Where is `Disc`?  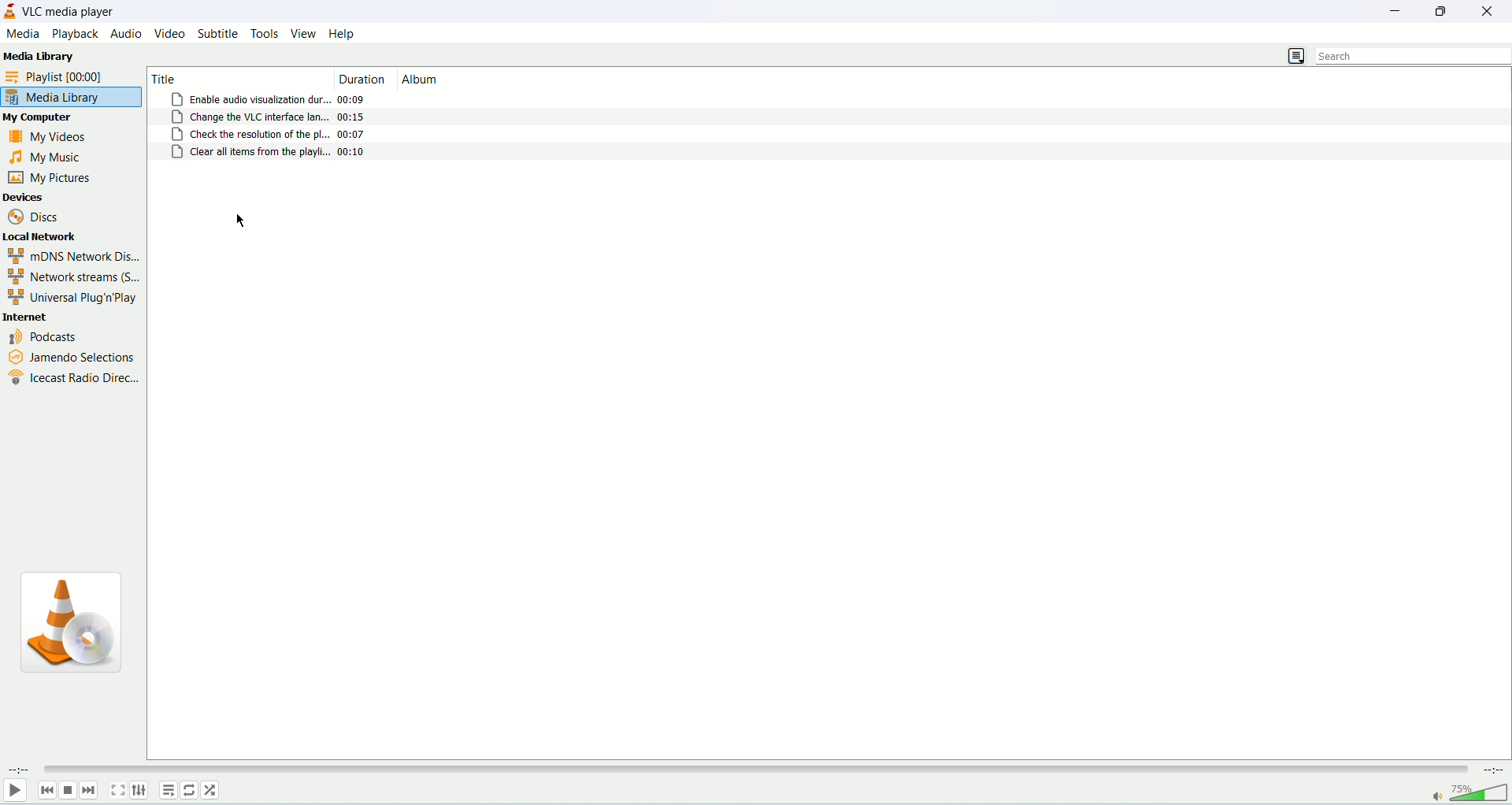
Disc is located at coordinates (35, 215).